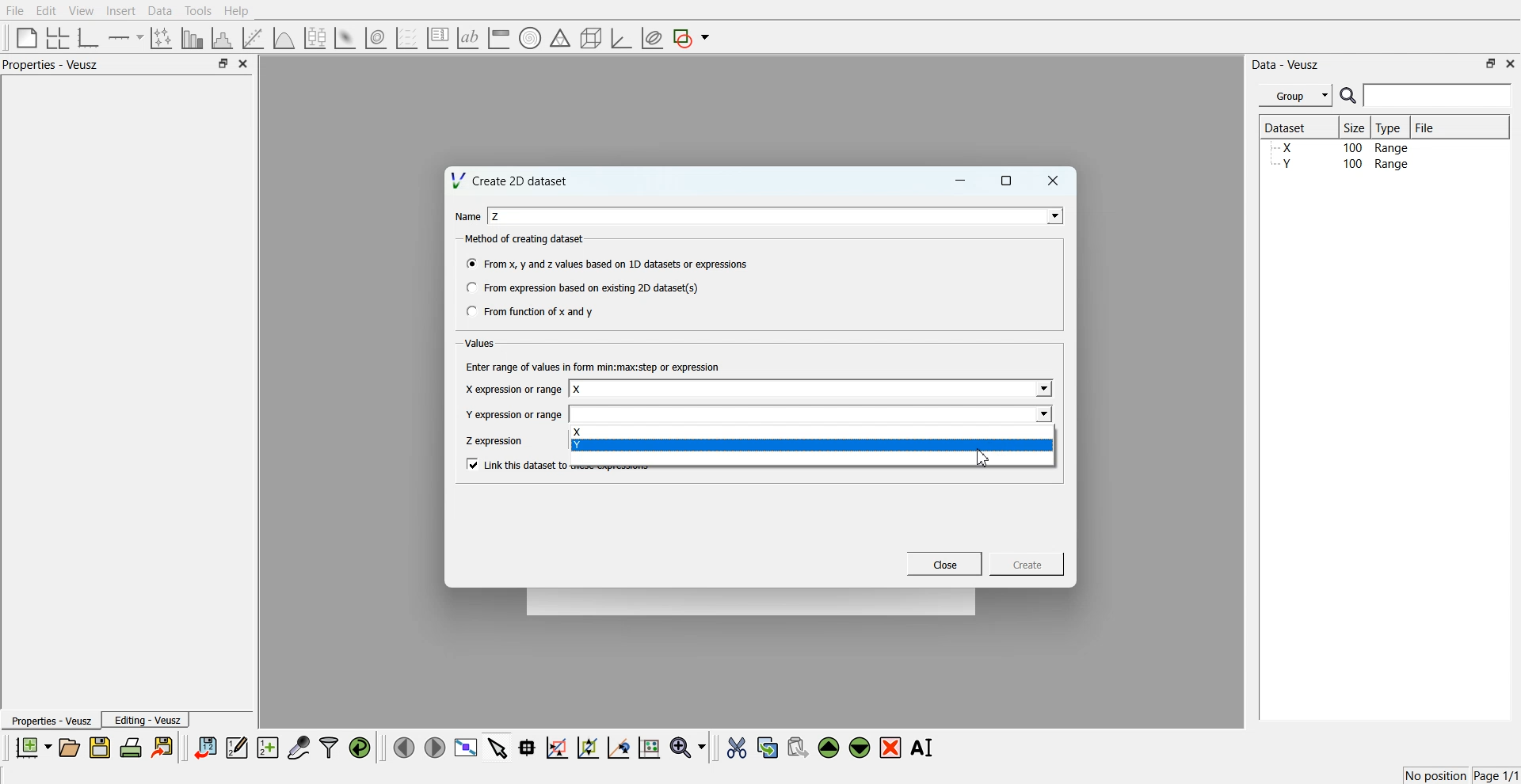  I want to click on View, so click(82, 11).